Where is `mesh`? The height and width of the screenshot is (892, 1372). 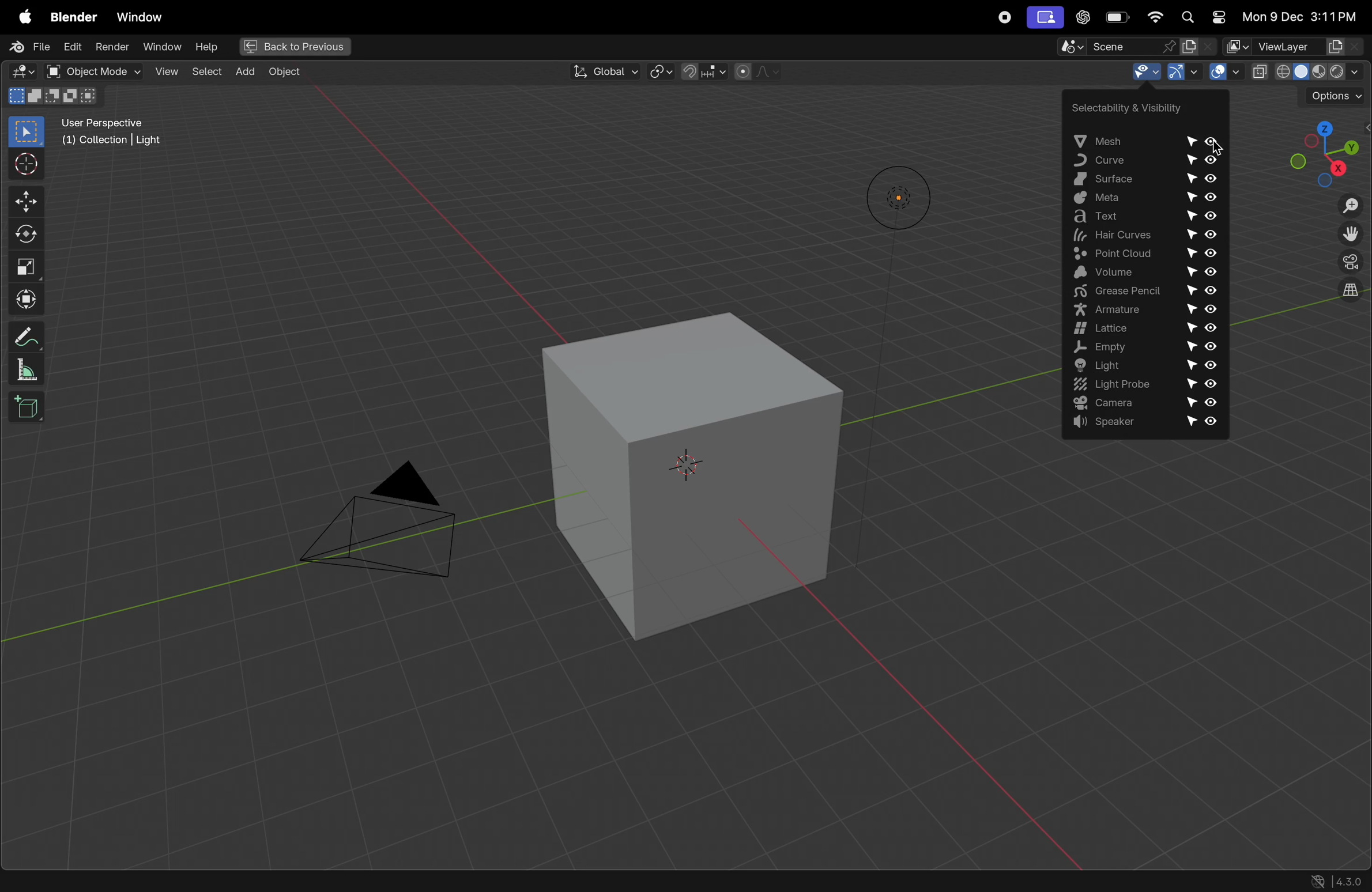
mesh is located at coordinates (1140, 139).